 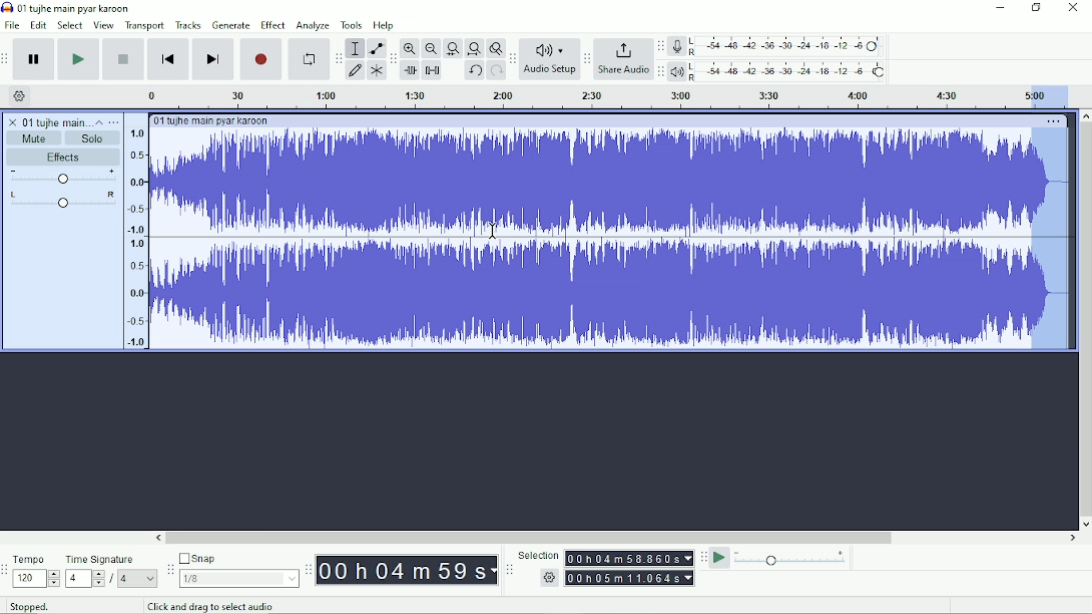 I want to click on Record meter, so click(x=777, y=46).